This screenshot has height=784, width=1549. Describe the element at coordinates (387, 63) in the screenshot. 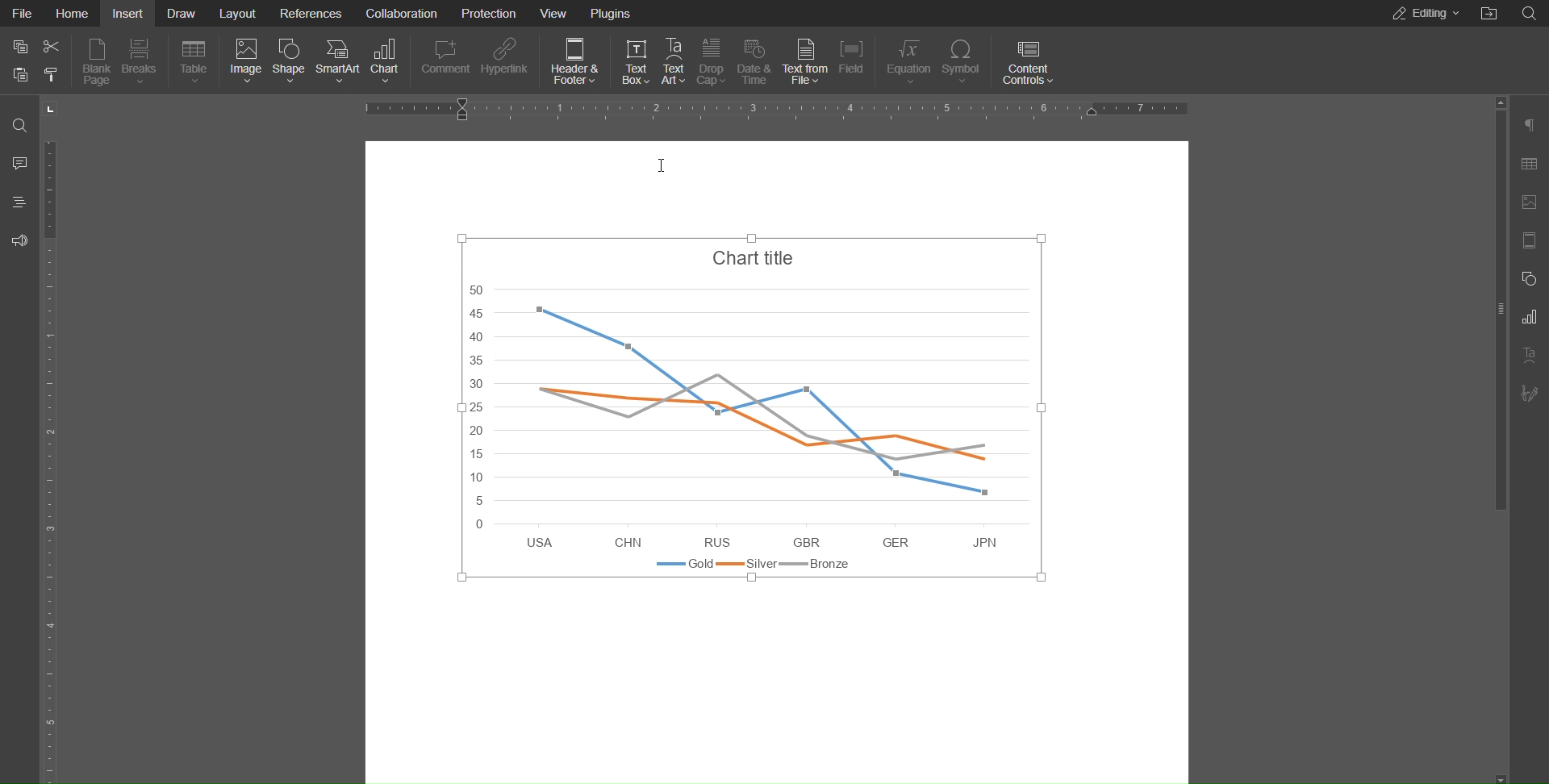

I see `Chart` at that location.